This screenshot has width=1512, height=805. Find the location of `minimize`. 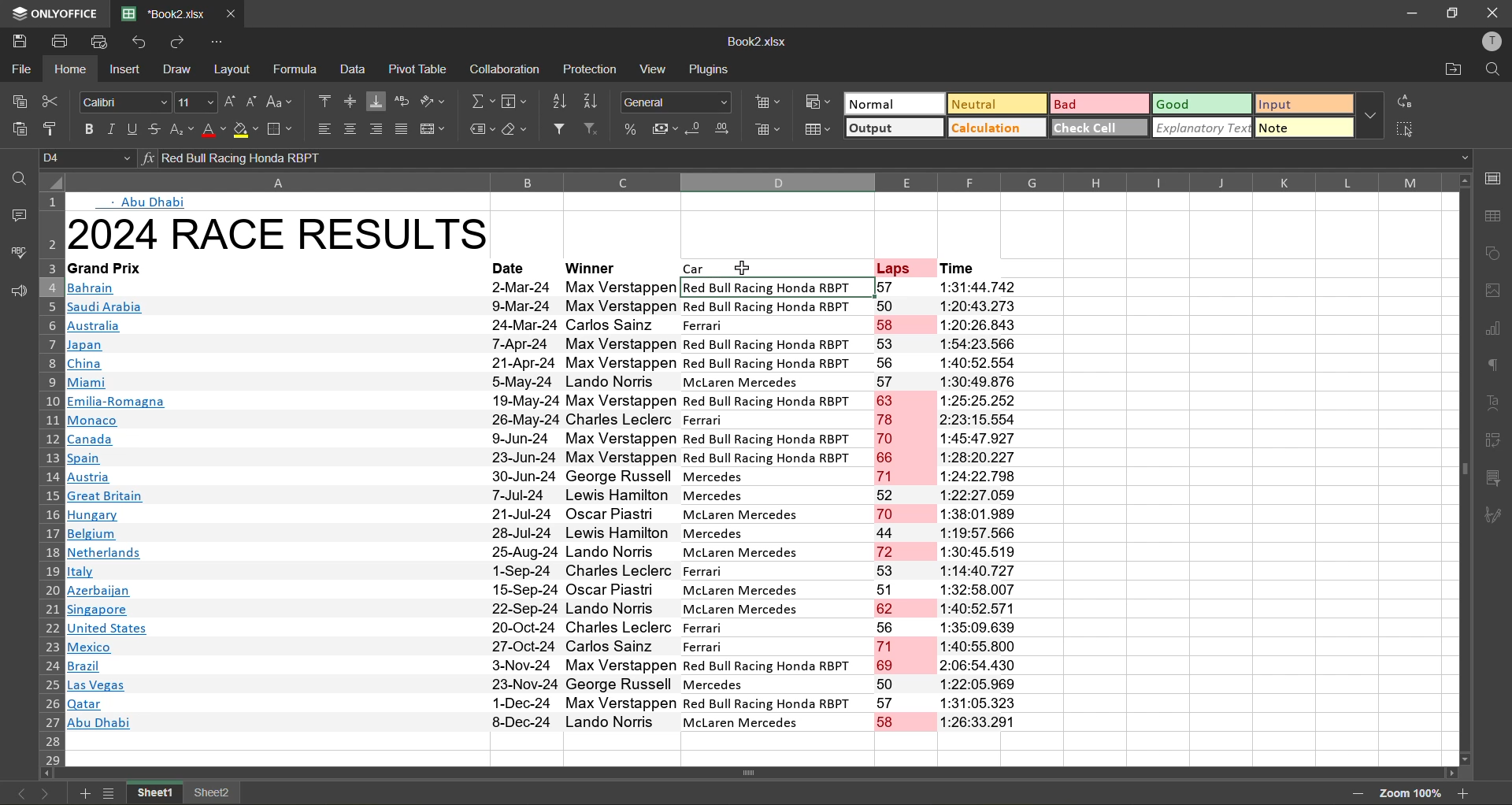

minimize is located at coordinates (1414, 13).